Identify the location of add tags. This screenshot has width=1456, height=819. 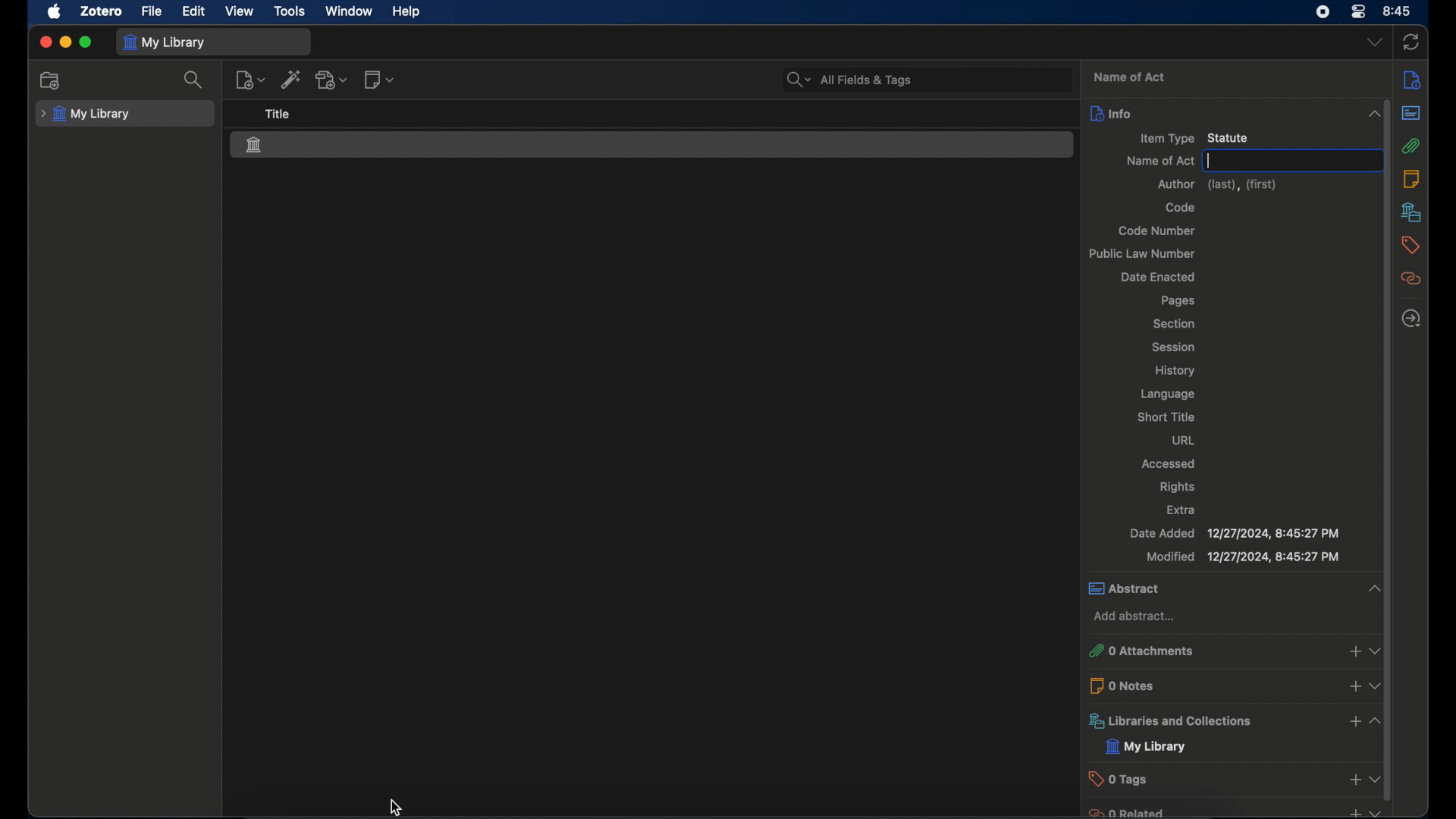
(1354, 780).